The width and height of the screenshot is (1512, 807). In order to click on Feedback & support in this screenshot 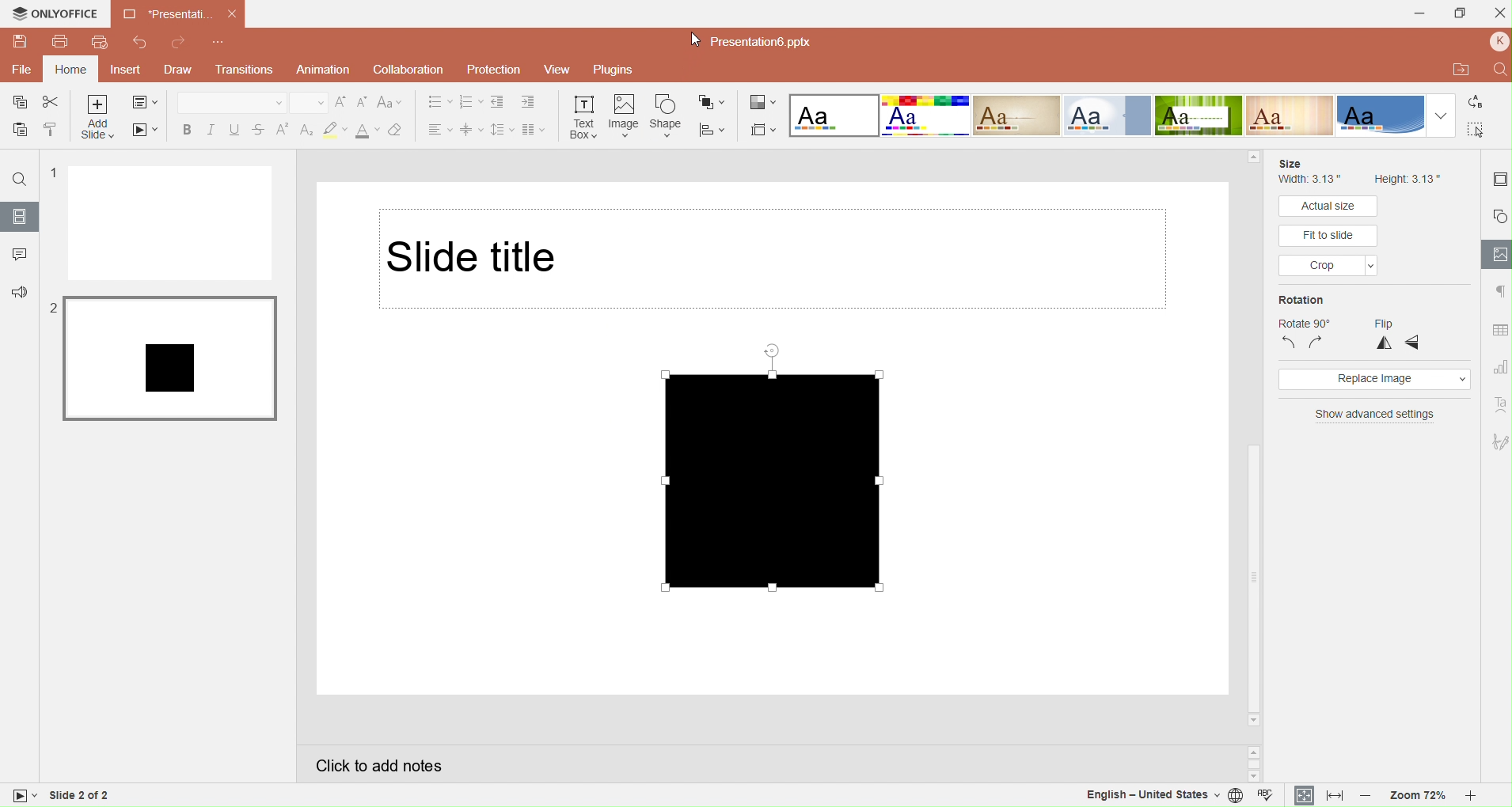, I will do `click(18, 292)`.